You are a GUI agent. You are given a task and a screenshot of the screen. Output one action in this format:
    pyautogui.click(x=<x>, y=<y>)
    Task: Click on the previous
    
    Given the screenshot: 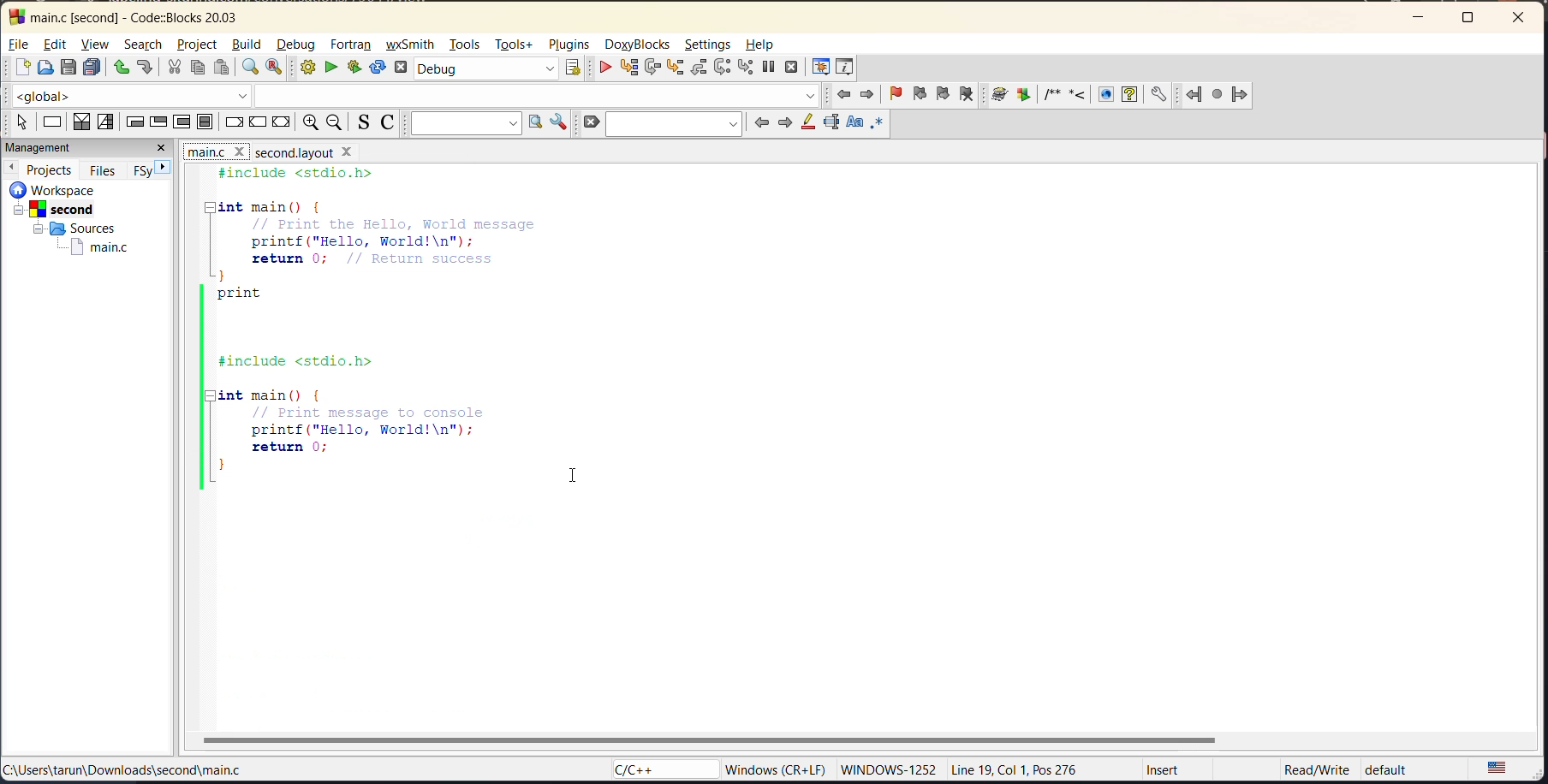 What is the action you would take?
    pyautogui.click(x=763, y=123)
    